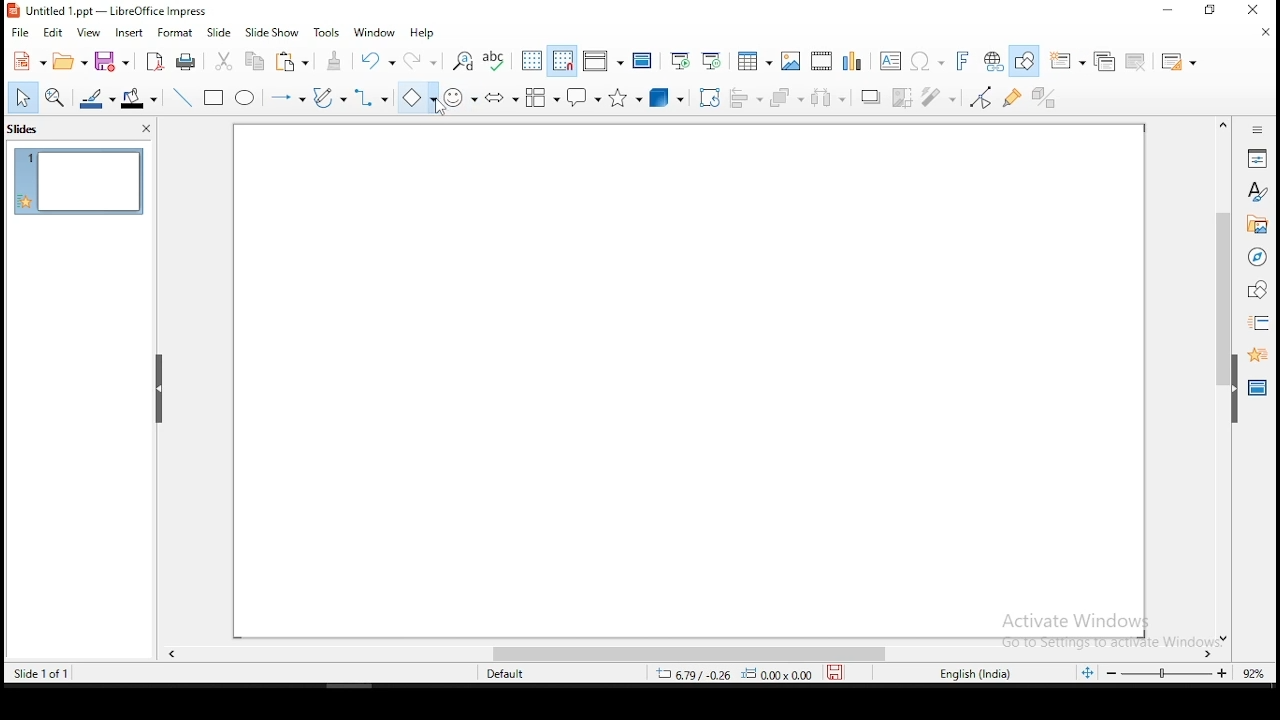 The width and height of the screenshot is (1280, 720). Describe the element at coordinates (1258, 291) in the screenshot. I see `shapes` at that location.